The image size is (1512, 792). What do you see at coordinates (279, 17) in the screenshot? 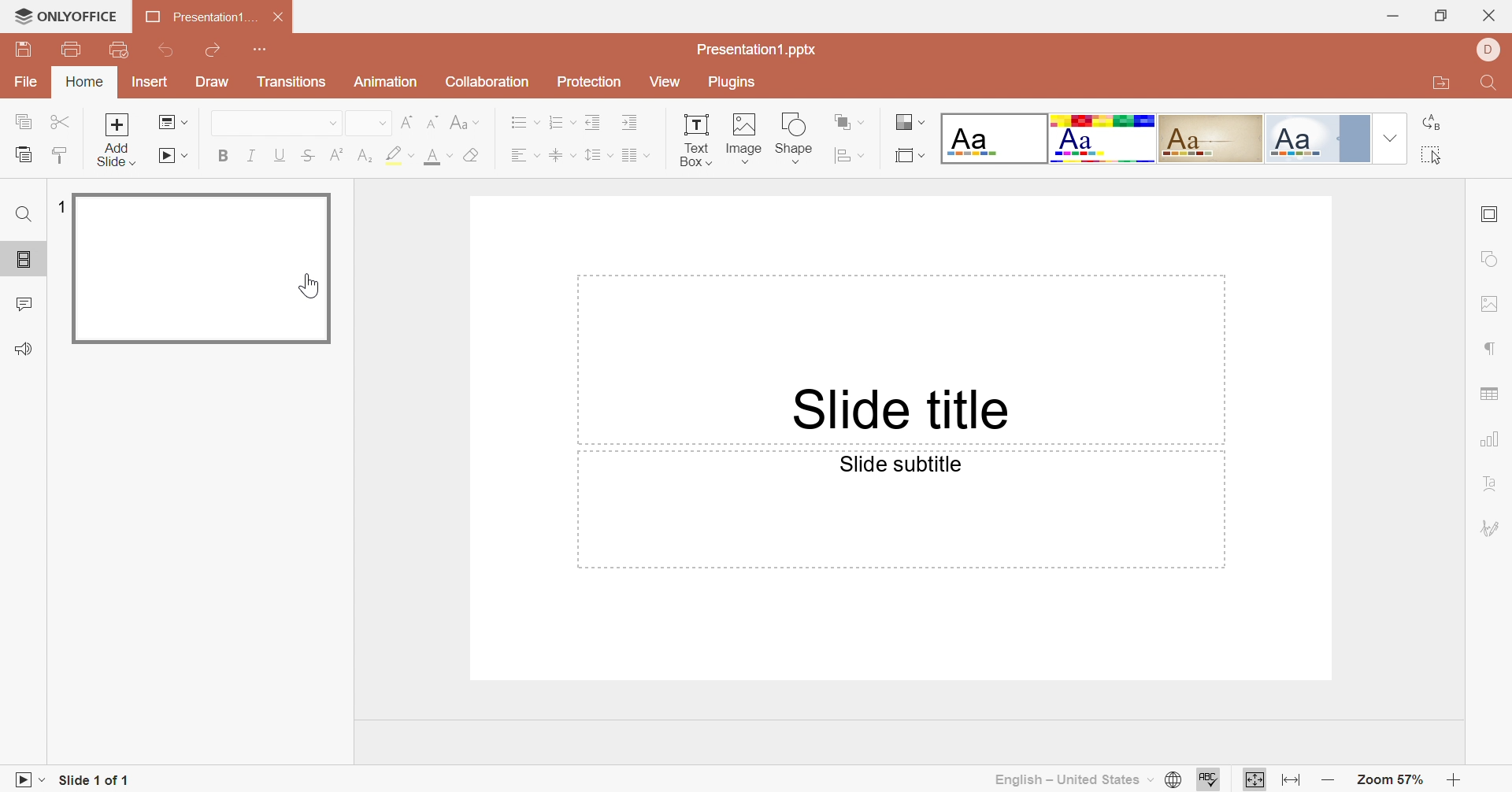
I see `Close` at bounding box center [279, 17].